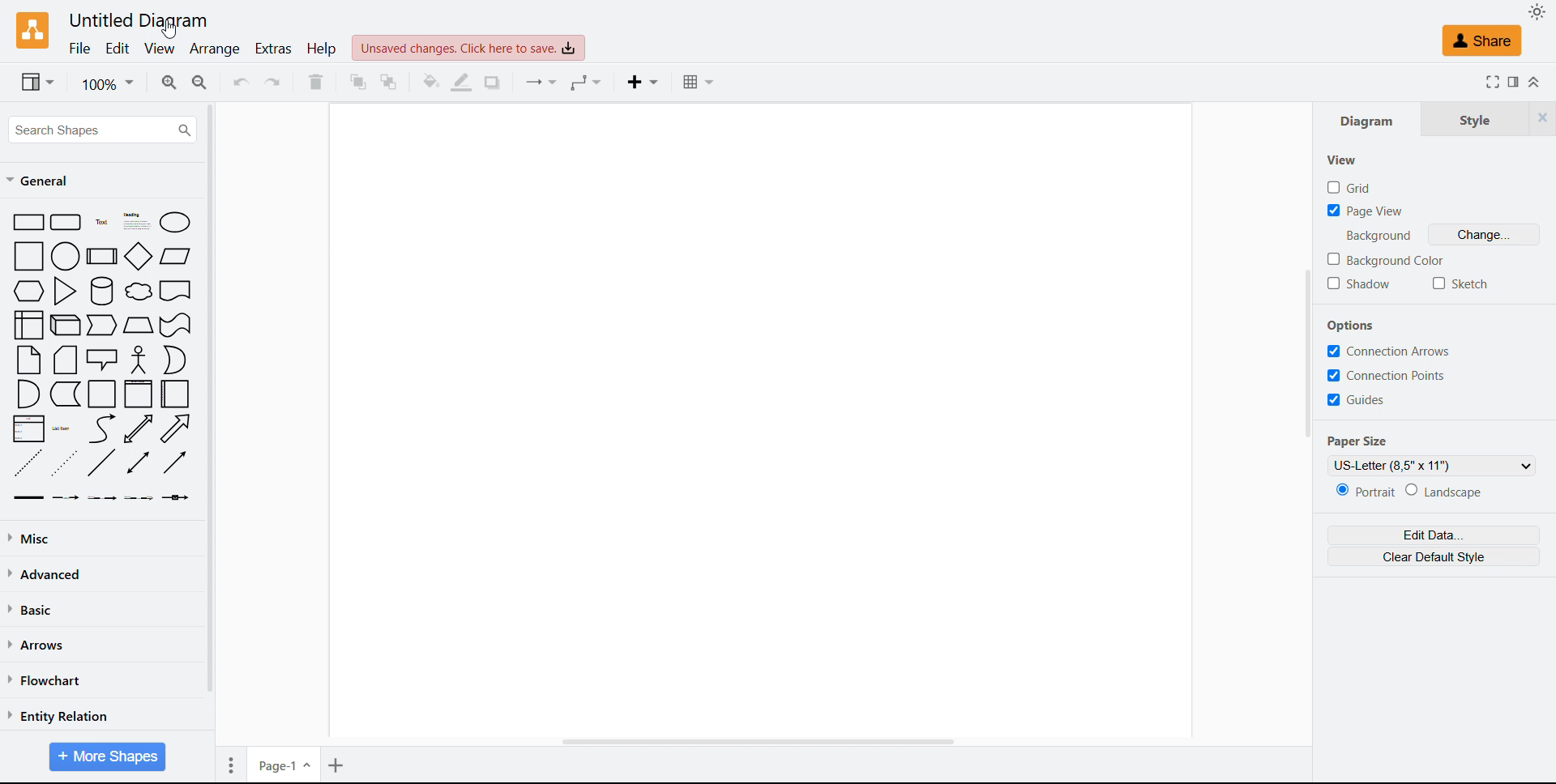 The height and width of the screenshot is (784, 1556). Describe the element at coordinates (103, 357) in the screenshot. I see `Shapes library ` at that location.